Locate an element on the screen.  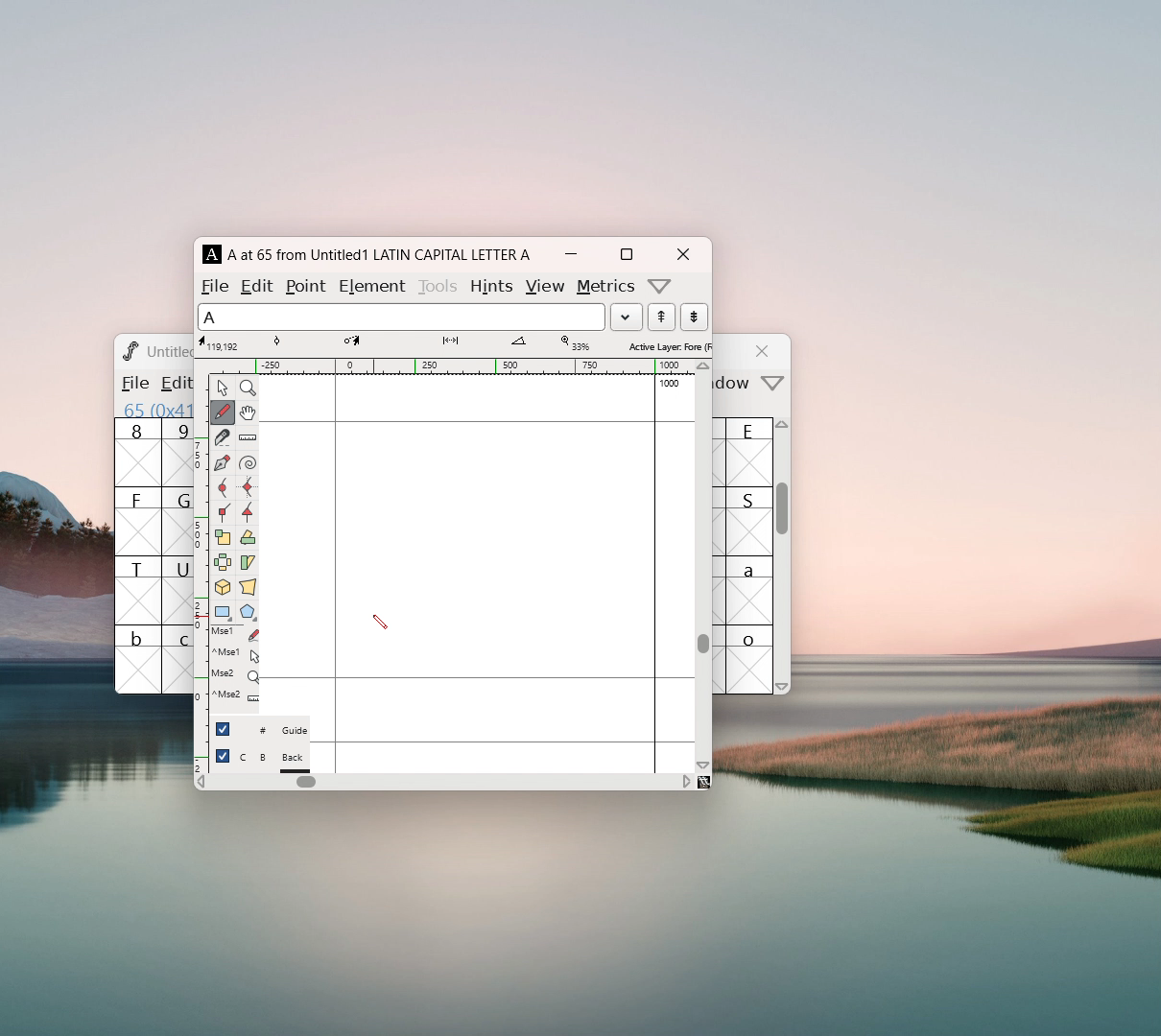
cut splines in two is located at coordinates (223, 439).